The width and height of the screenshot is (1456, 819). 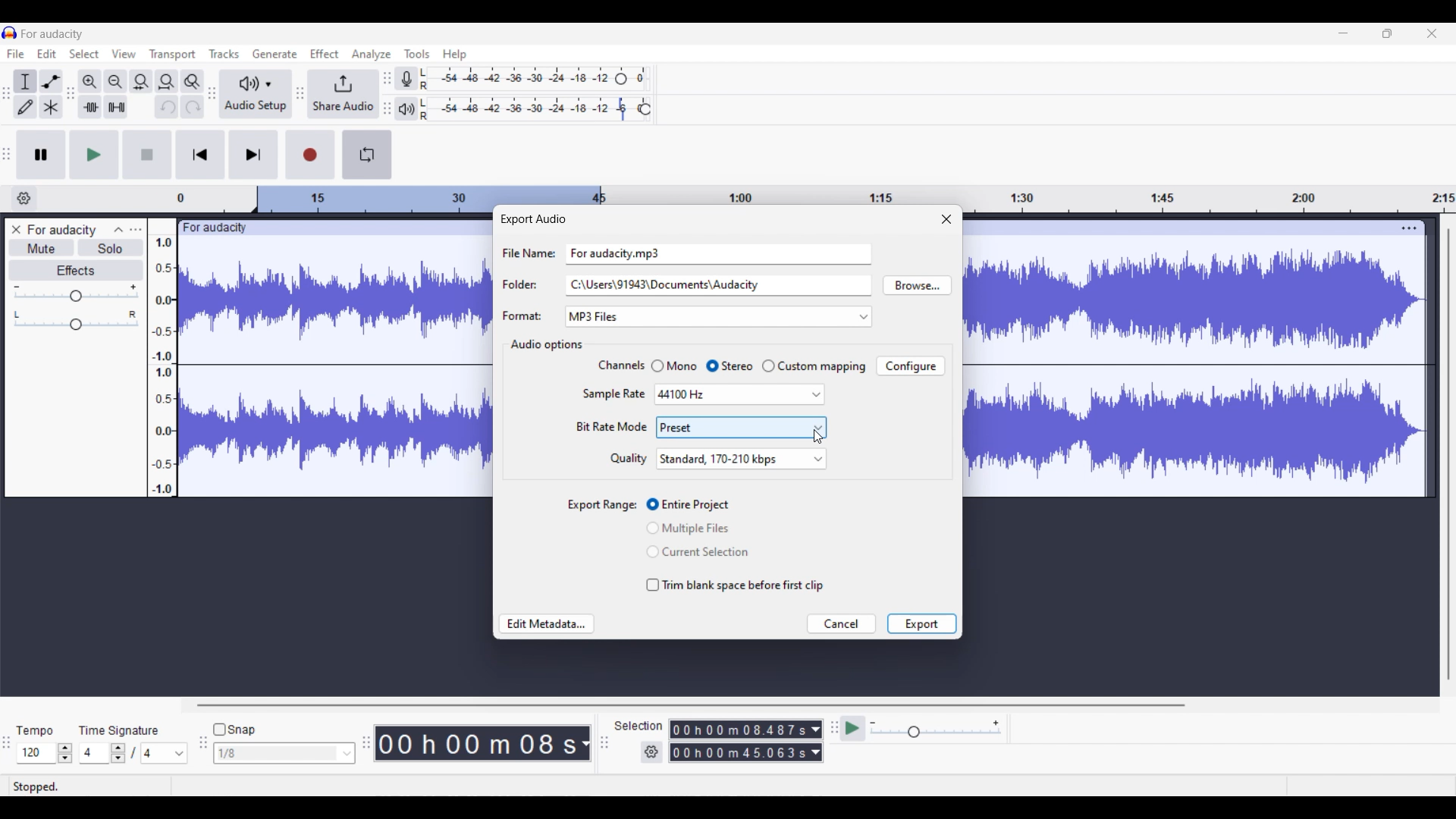 What do you see at coordinates (200, 154) in the screenshot?
I see `Skip/Select to start` at bounding box center [200, 154].